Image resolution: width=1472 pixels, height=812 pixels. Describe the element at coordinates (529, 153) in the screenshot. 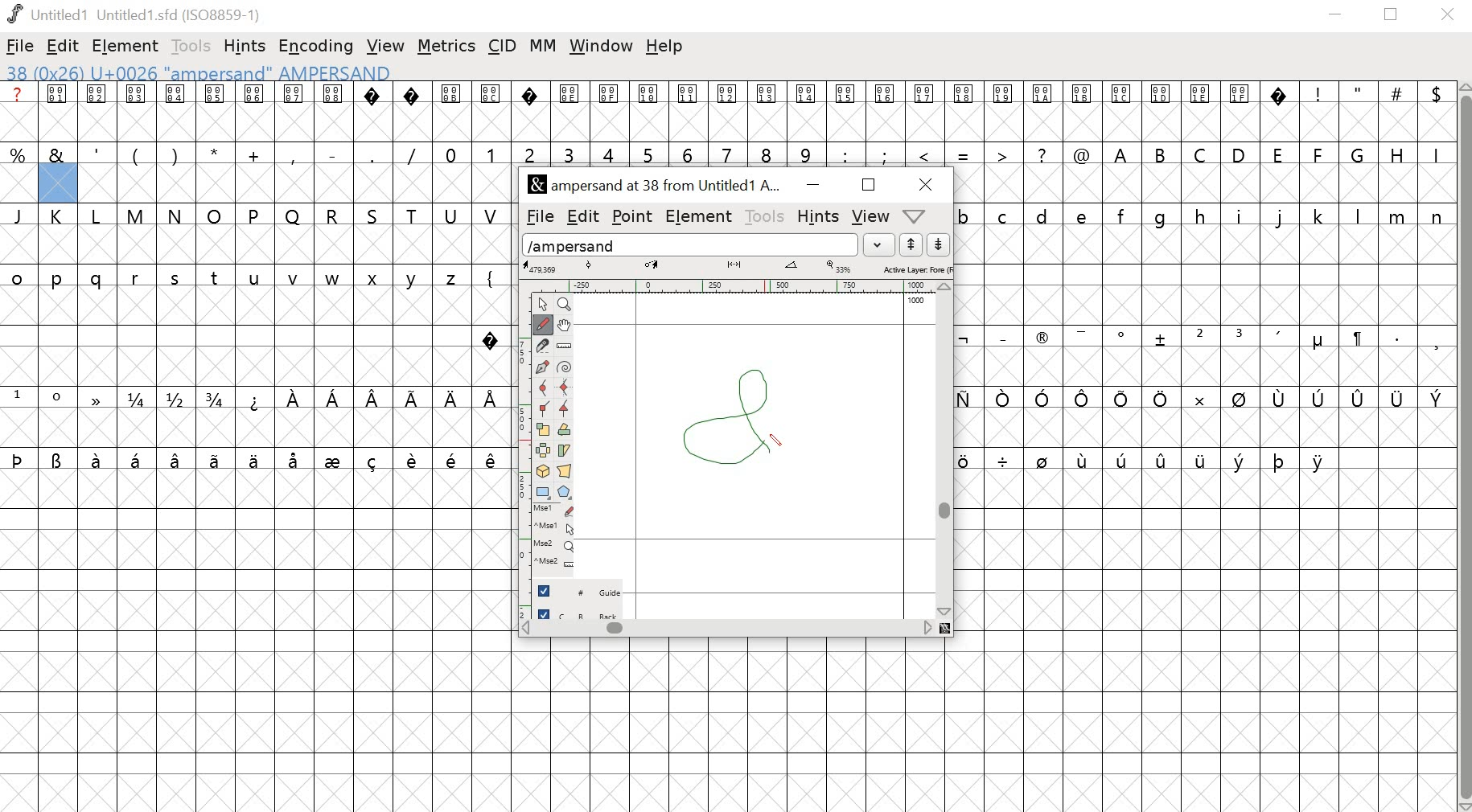

I see `2` at that location.